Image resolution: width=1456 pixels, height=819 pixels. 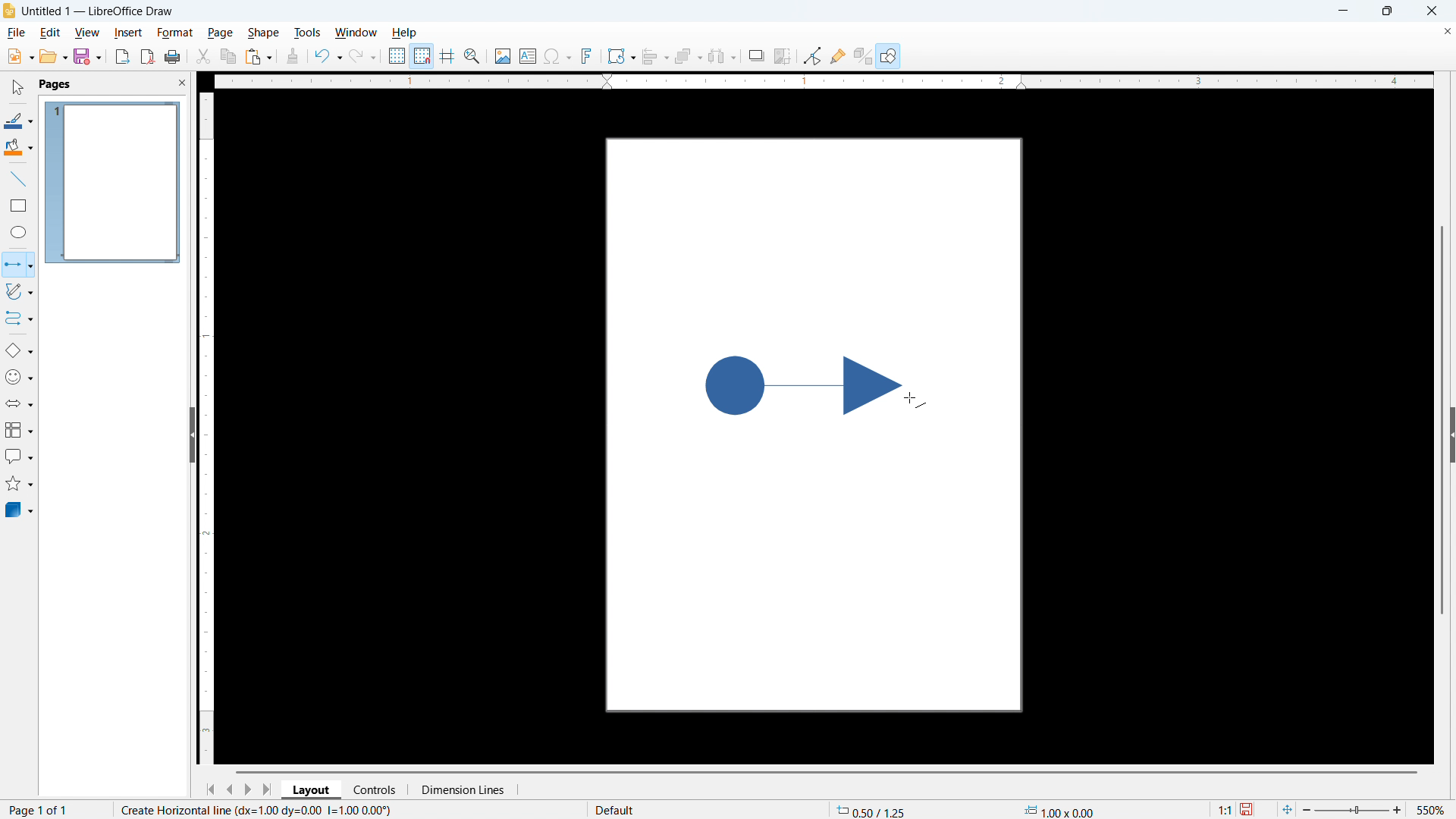 I want to click on save , so click(x=1248, y=810).